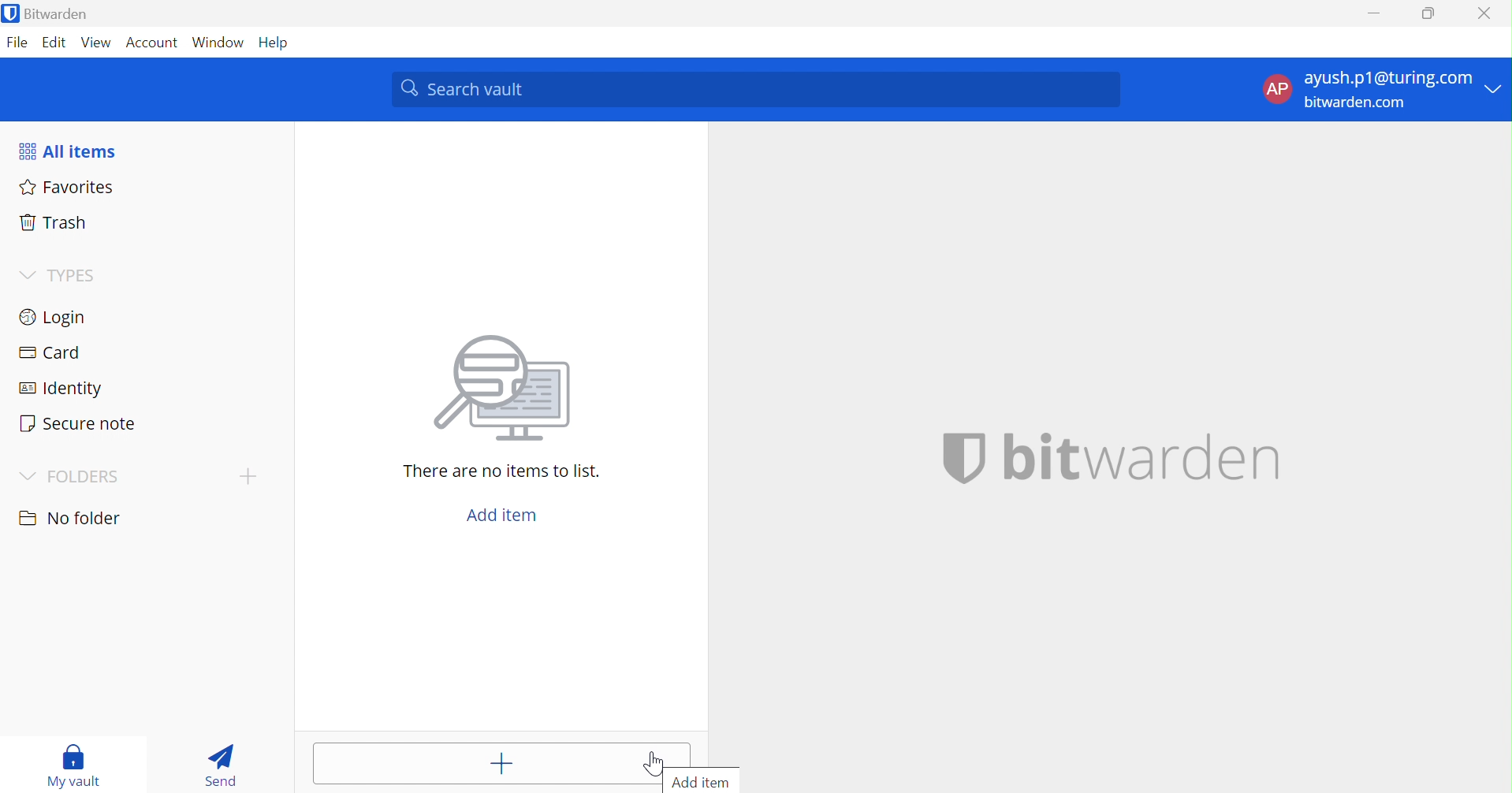 The image size is (1512, 793). I want to click on Window, so click(218, 43).